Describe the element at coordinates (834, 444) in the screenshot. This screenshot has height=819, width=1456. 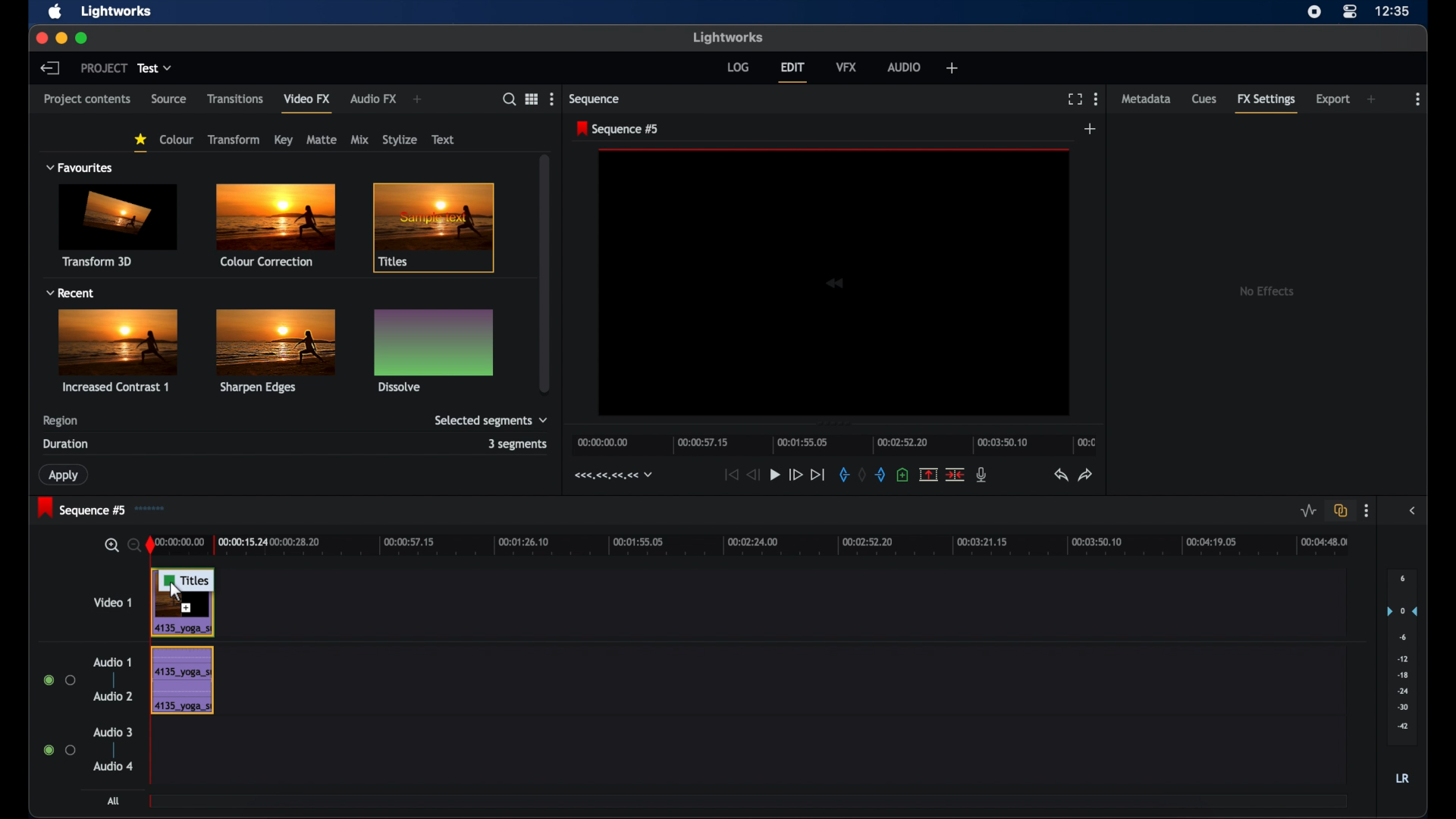
I see `timeline scale` at that location.